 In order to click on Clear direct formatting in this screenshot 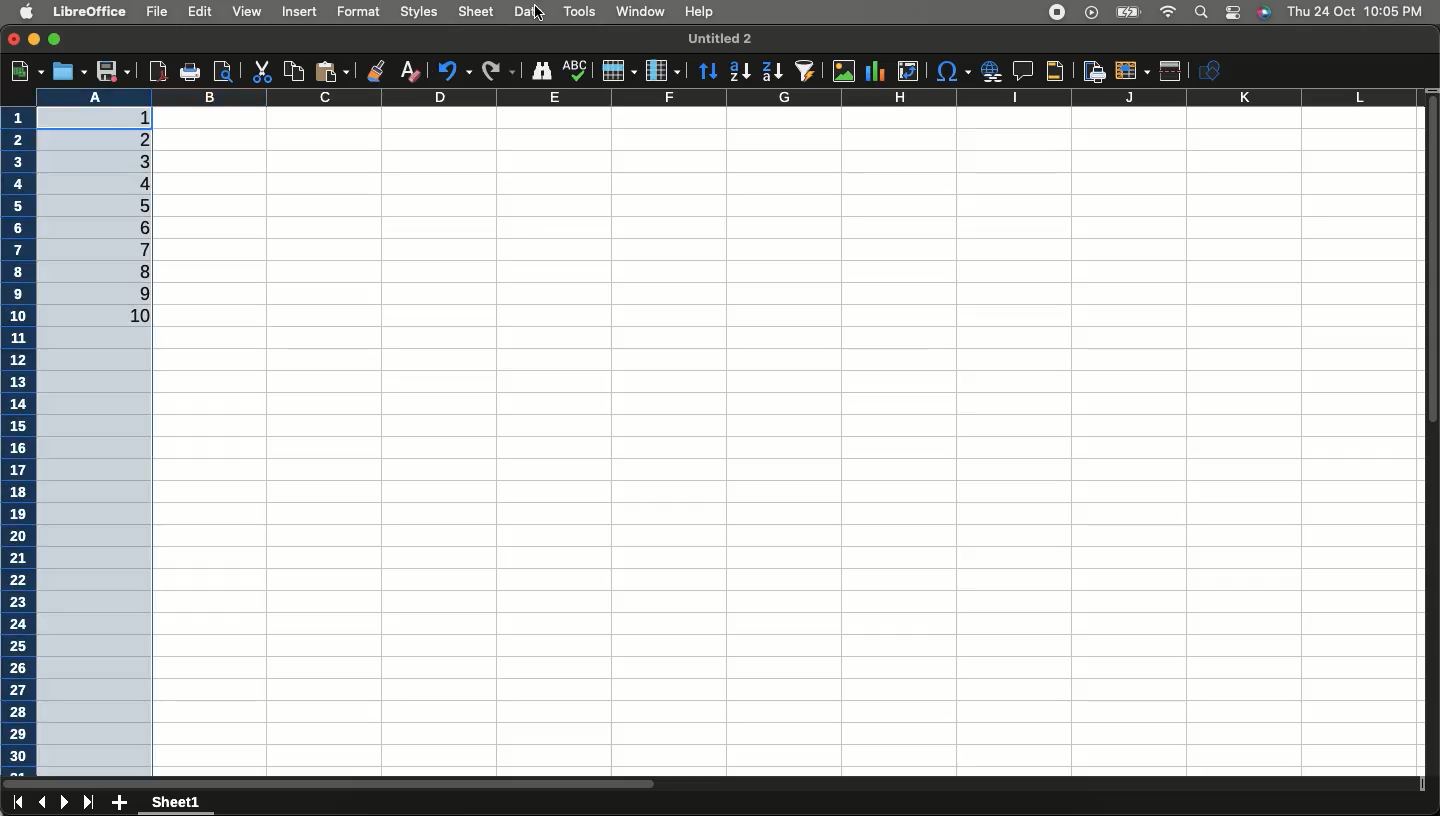, I will do `click(414, 71)`.